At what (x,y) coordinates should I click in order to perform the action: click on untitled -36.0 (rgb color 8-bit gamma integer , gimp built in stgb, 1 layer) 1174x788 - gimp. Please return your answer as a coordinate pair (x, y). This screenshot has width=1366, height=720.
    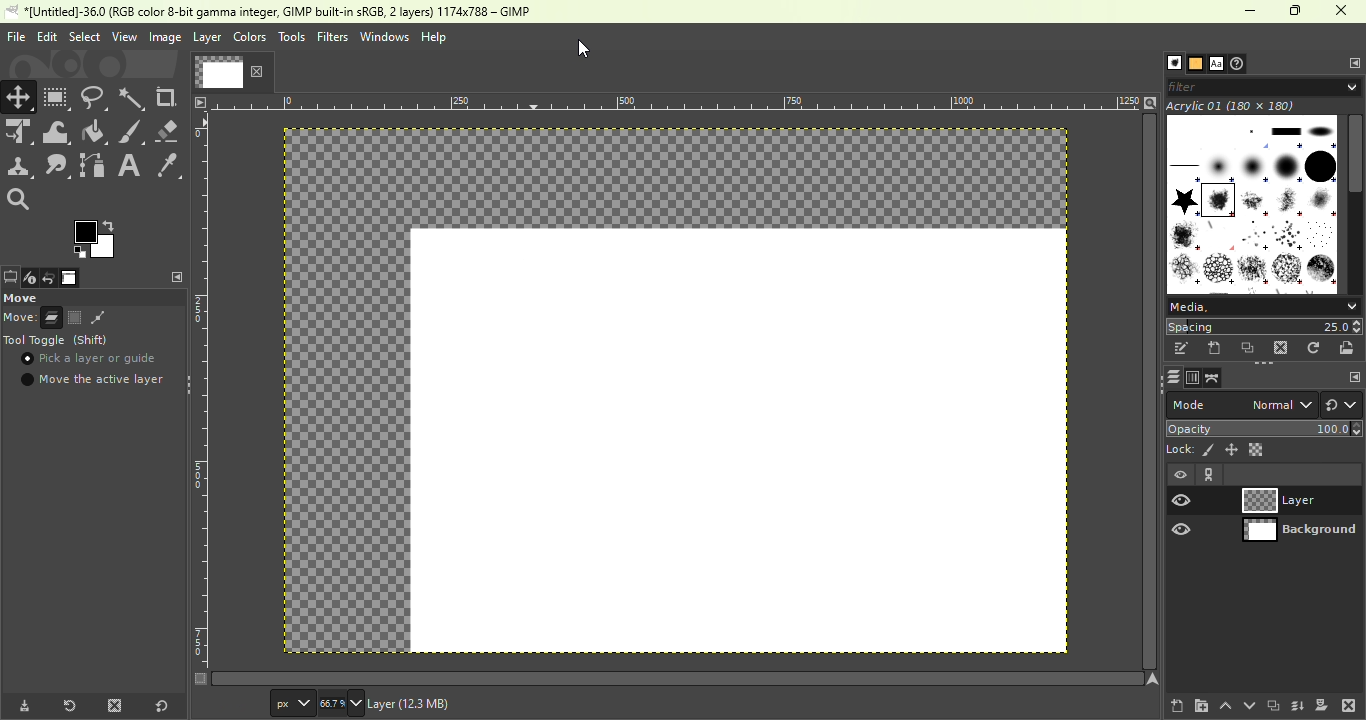
    Looking at the image, I should click on (274, 12).